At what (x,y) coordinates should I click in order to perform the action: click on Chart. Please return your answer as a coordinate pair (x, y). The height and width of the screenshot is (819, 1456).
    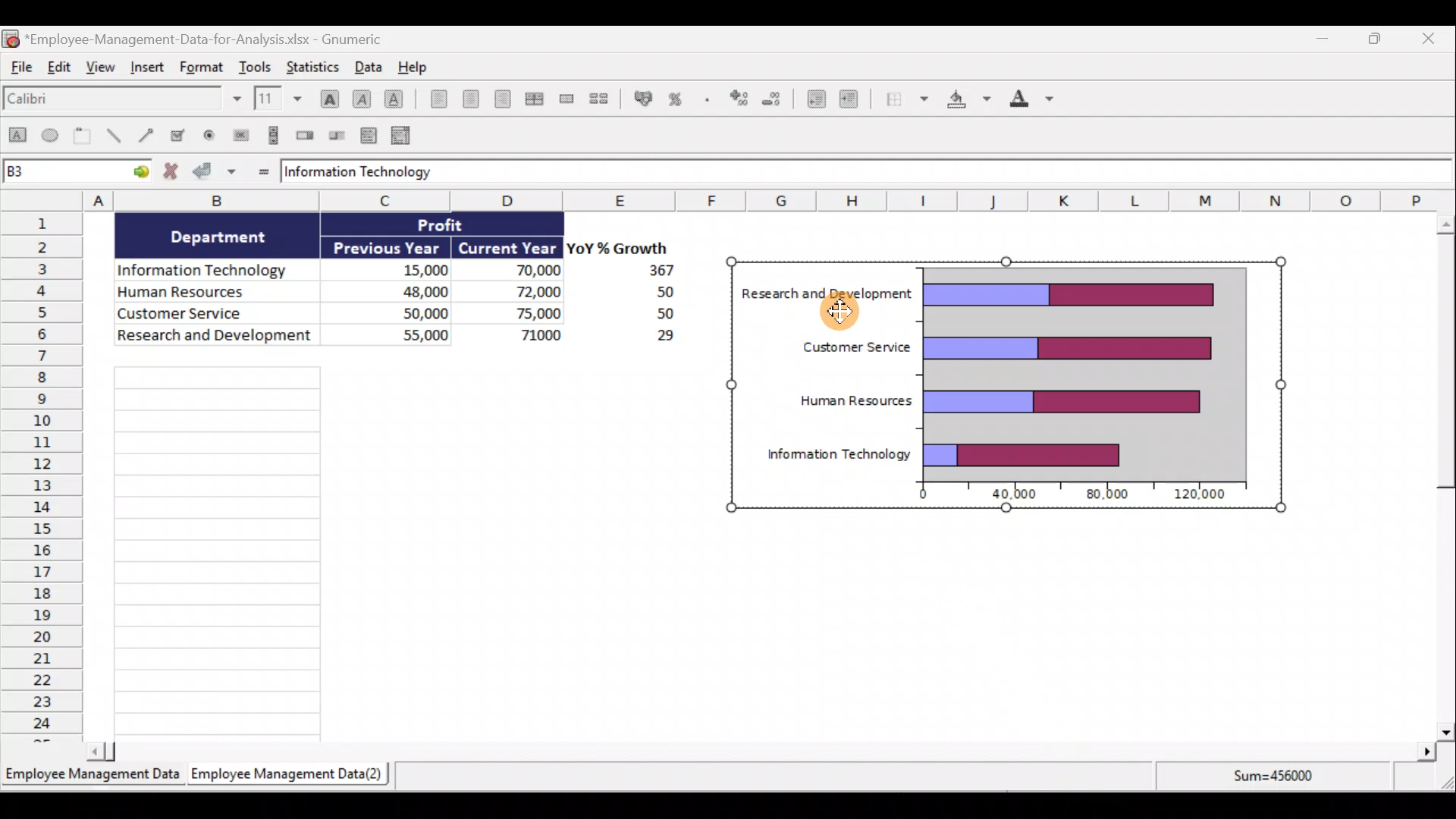
    Looking at the image, I should click on (1084, 370).